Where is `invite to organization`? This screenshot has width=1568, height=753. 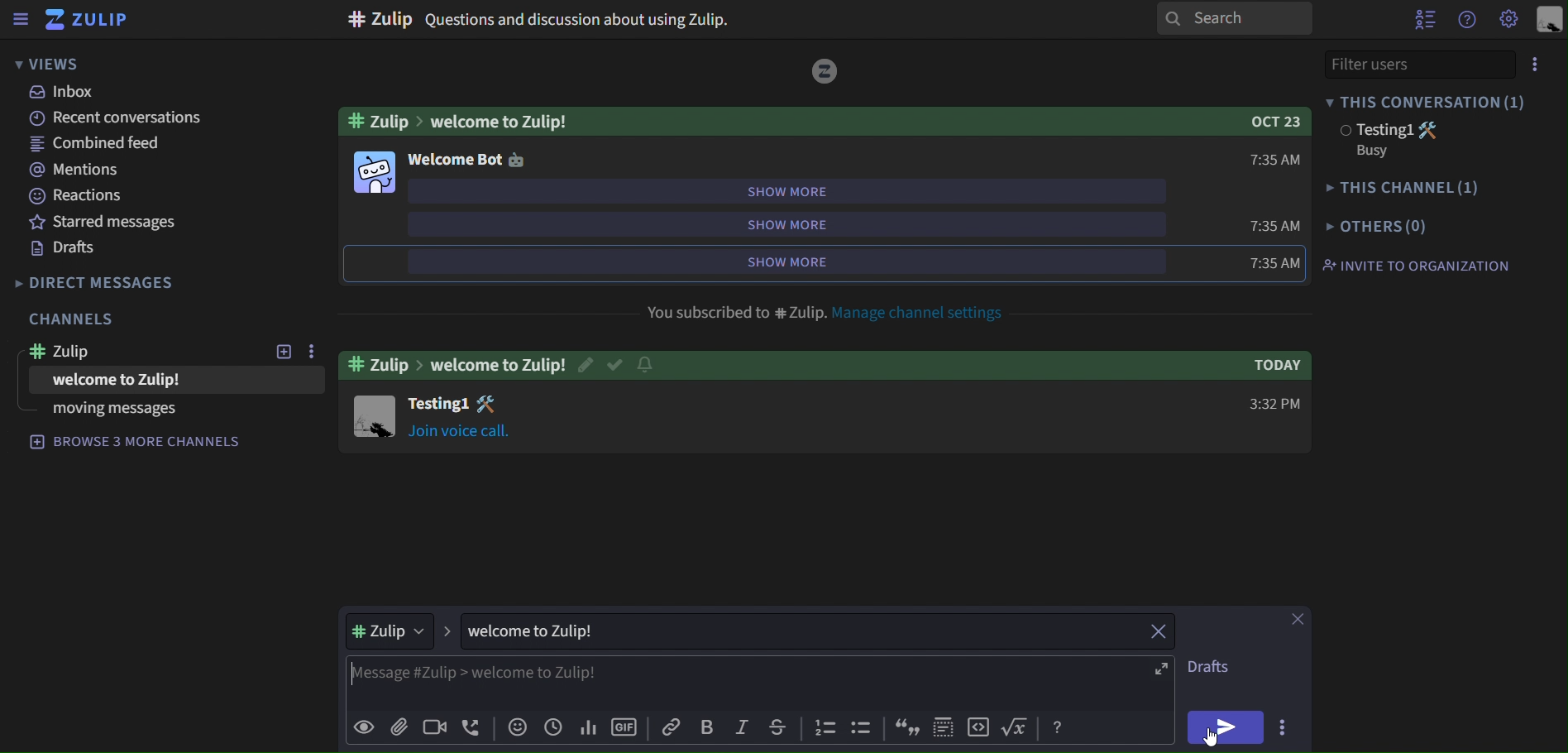 invite to organization is located at coordinates (1417, 268).